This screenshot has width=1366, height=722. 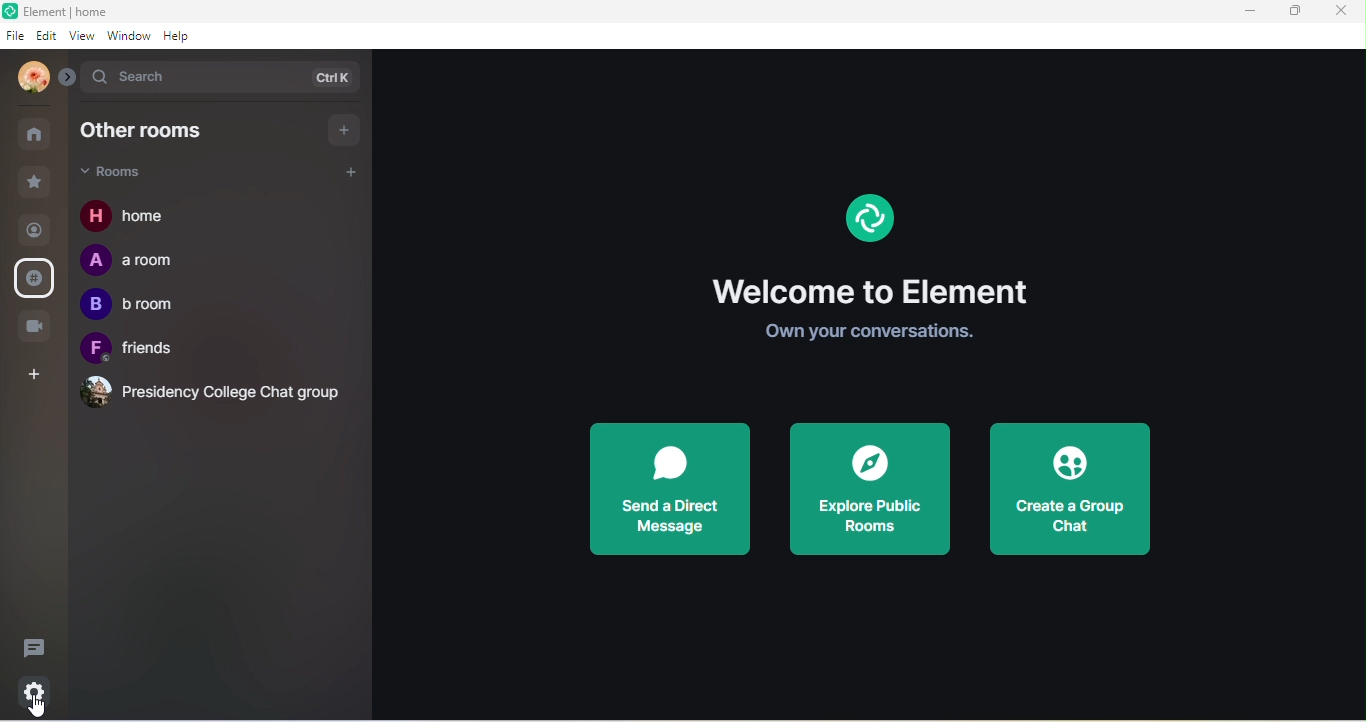 I want to click on favourites, so click(x=36, y=180).